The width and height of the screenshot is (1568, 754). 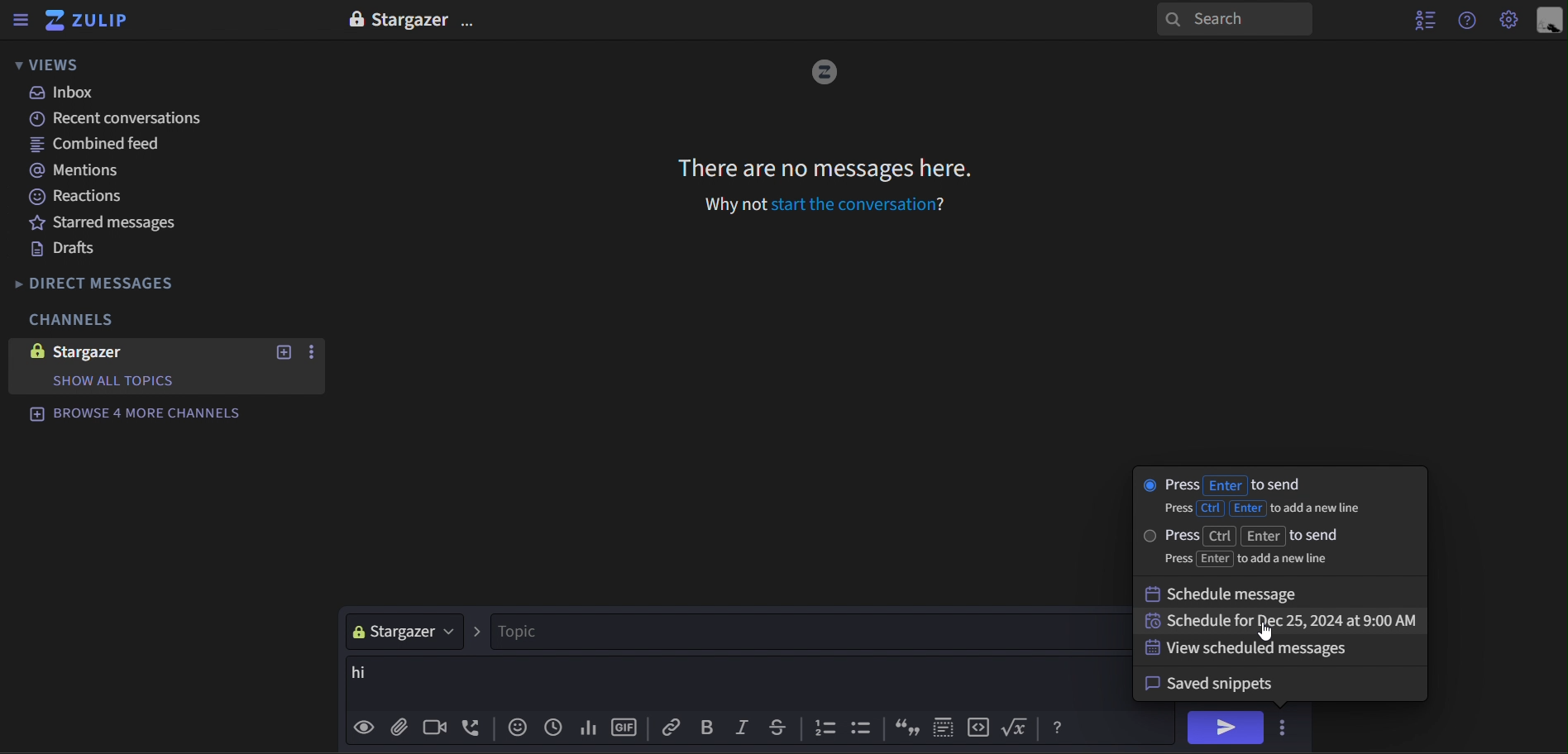 What do you see at coordinates (112, 198) in the screenshot?
I see `reactions` at bounding box center [112, 198].